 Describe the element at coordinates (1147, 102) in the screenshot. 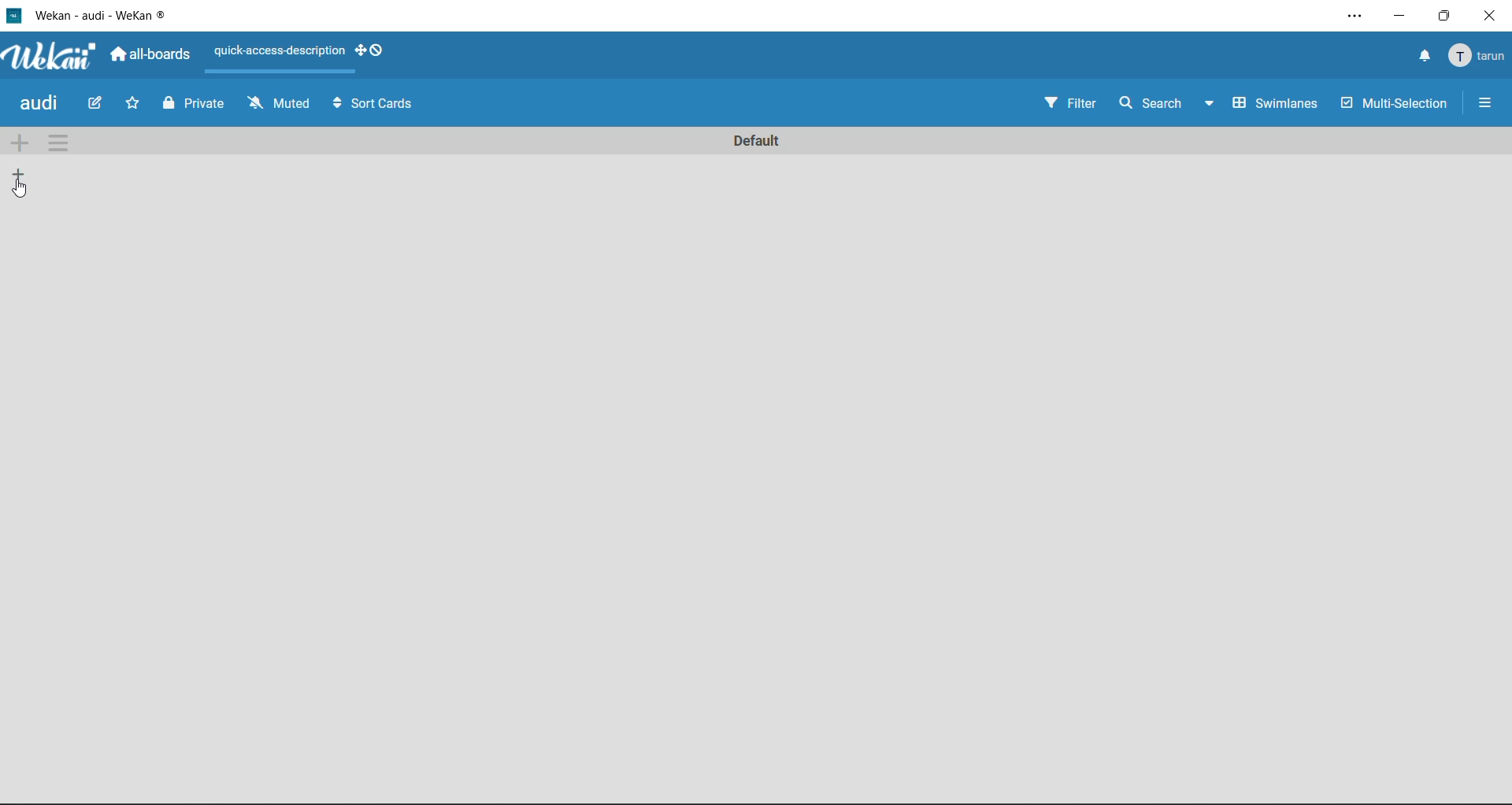

I see `Search` at that location.